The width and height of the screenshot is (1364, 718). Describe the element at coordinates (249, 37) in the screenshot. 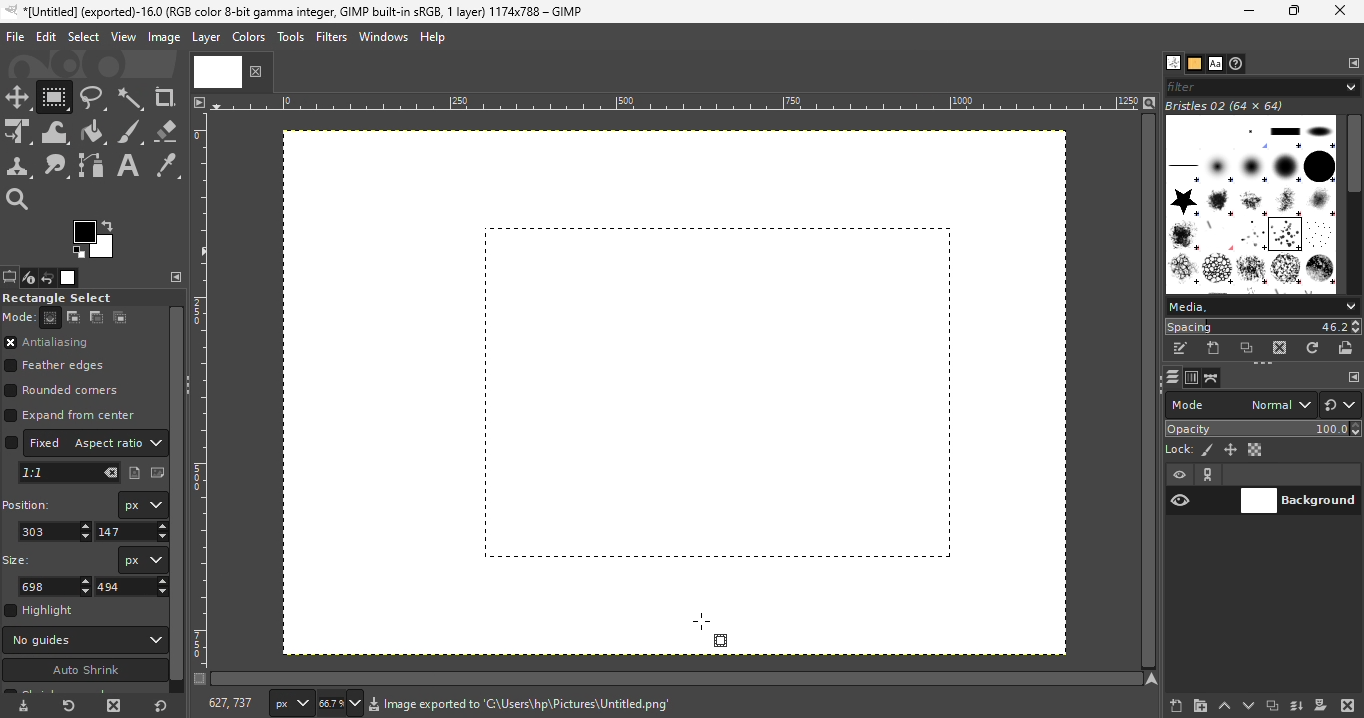

I see `Colors` at that location.